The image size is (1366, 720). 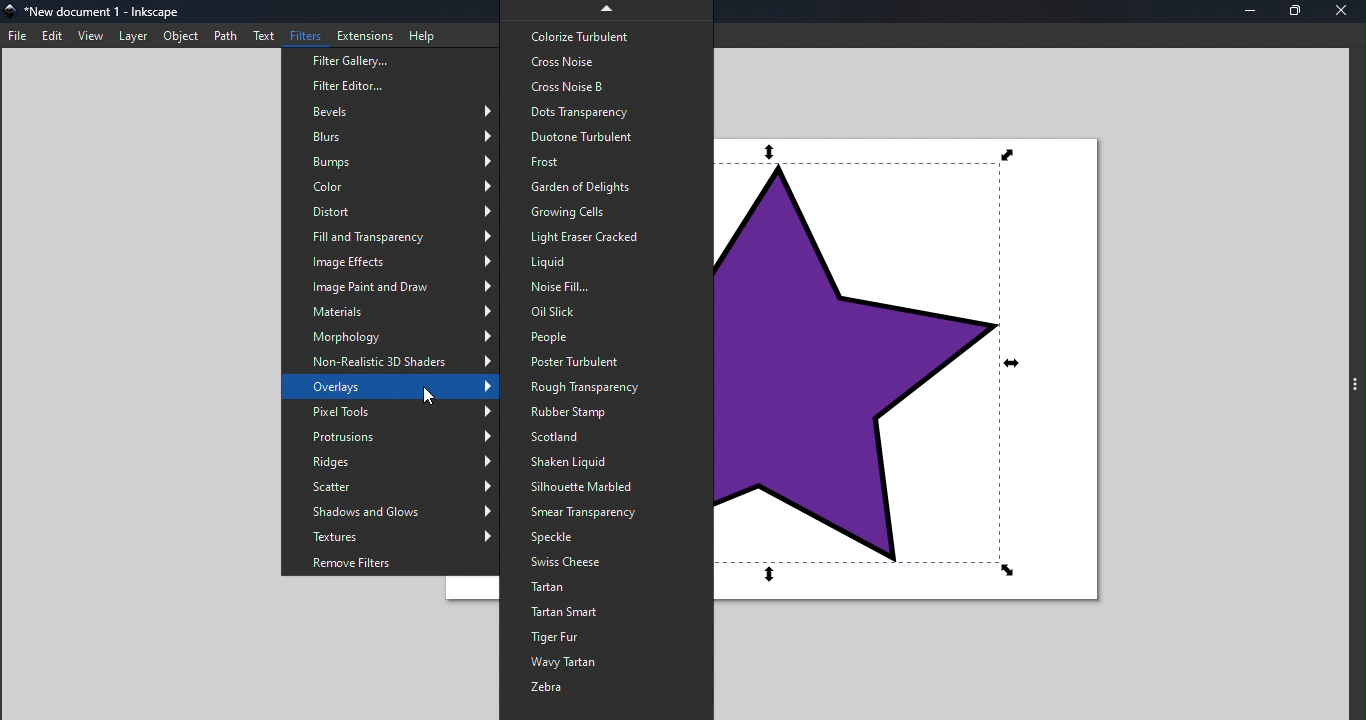 I want to click on File name, so click(x=101, y=14).